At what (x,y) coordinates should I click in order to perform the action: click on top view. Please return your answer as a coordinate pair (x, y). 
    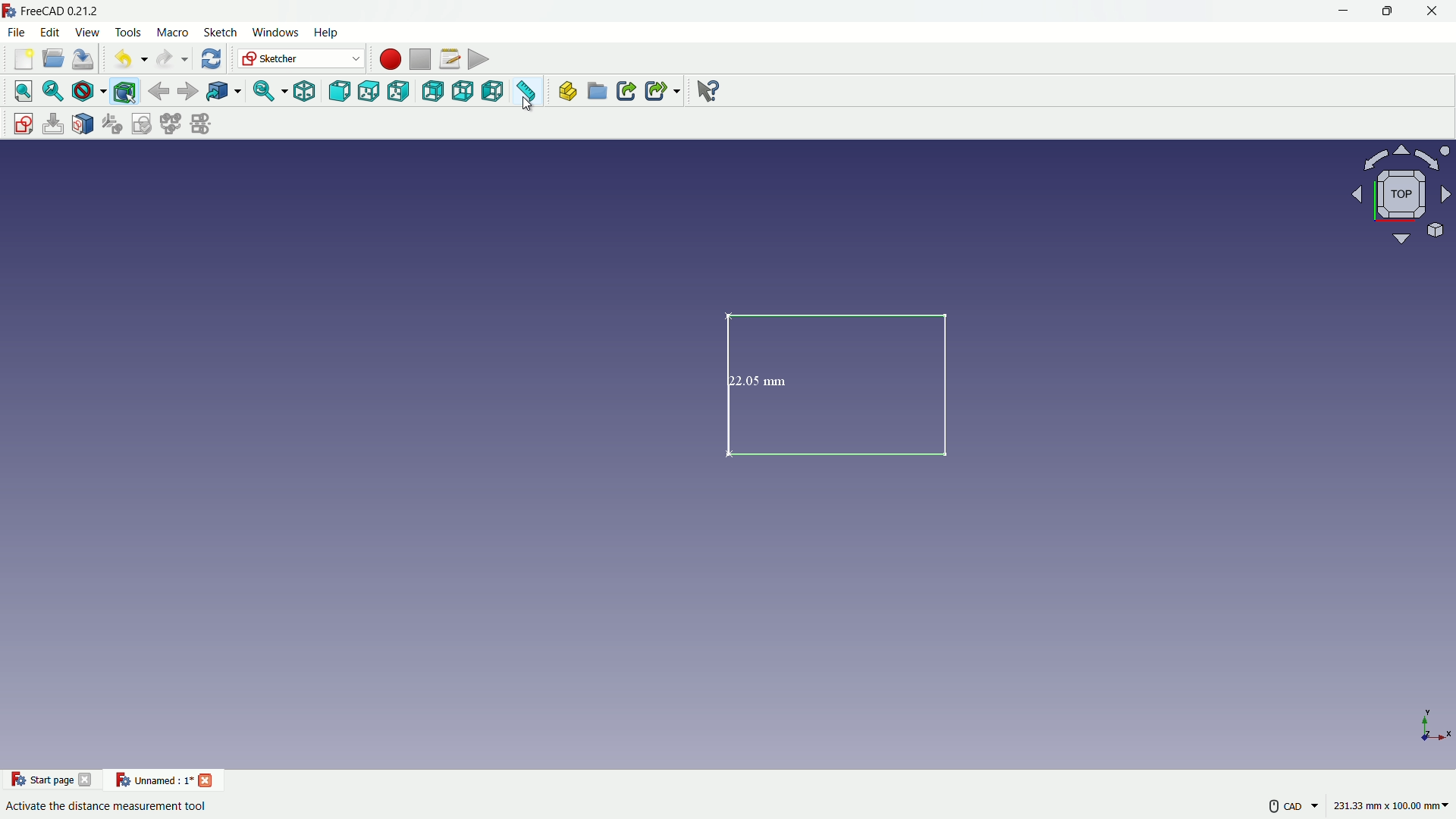
    Looking at the image, I should click on (369, 90).